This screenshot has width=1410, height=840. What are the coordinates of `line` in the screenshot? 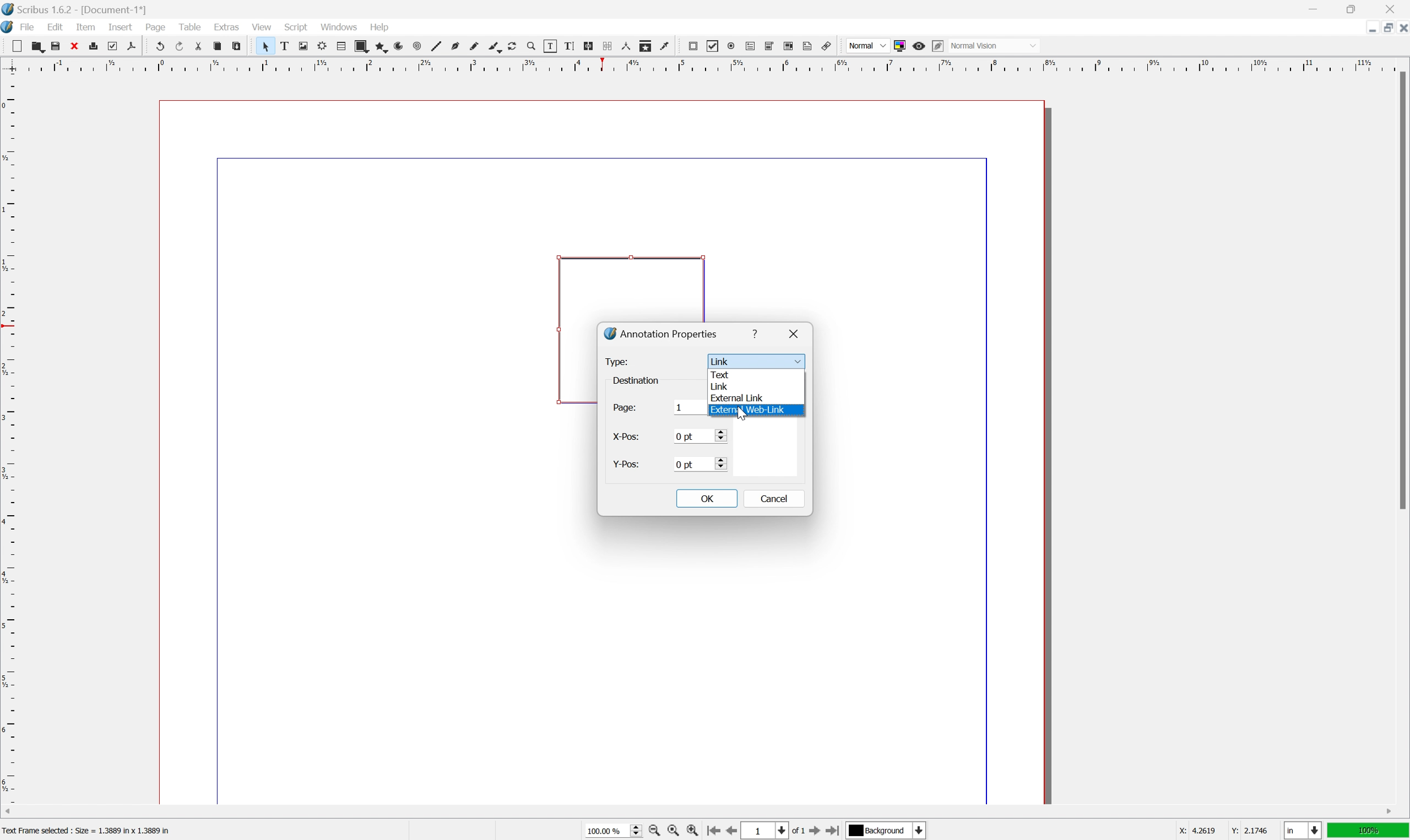 It's located at (437, 46).